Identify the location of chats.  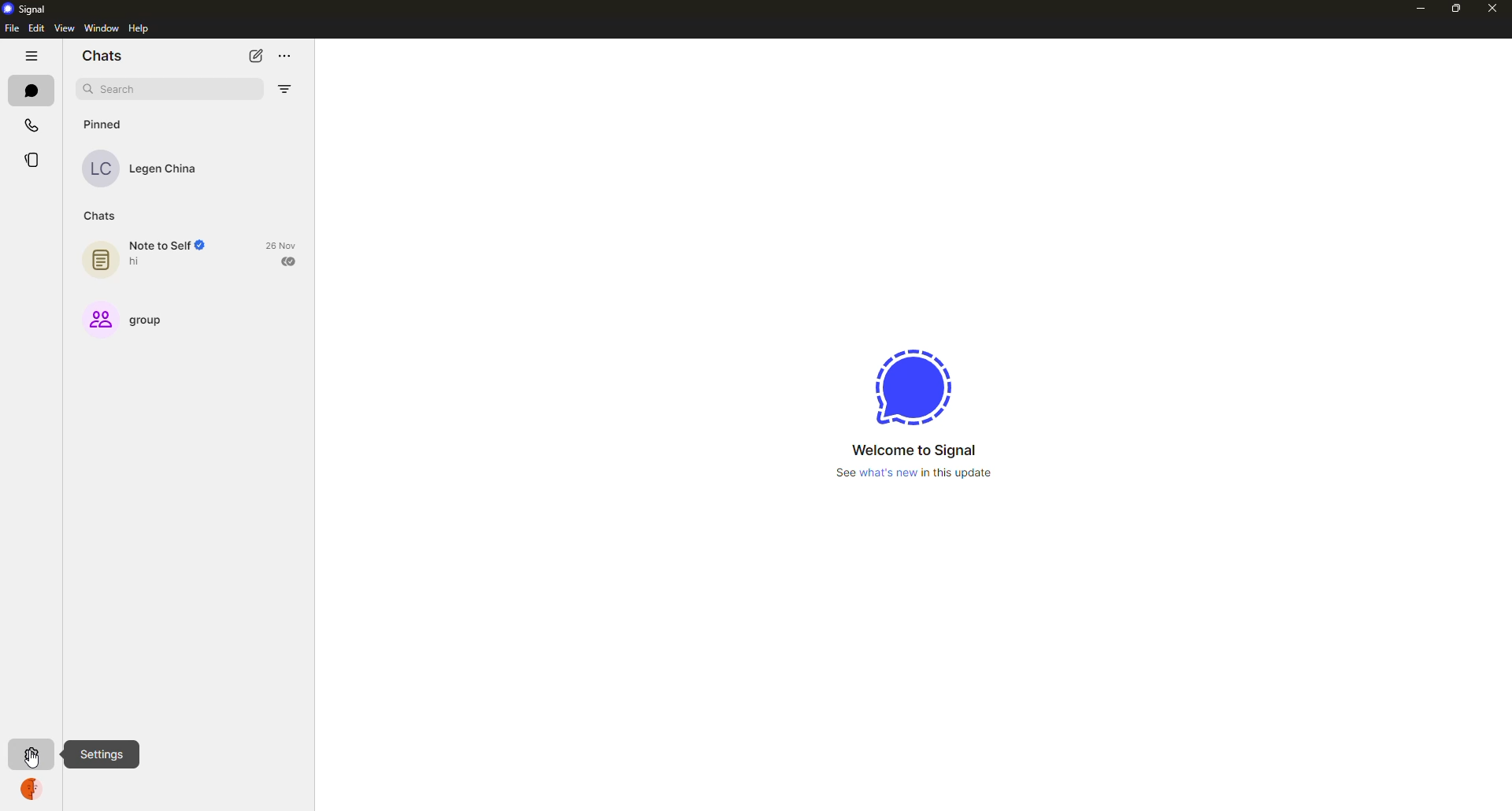
(102, 214).